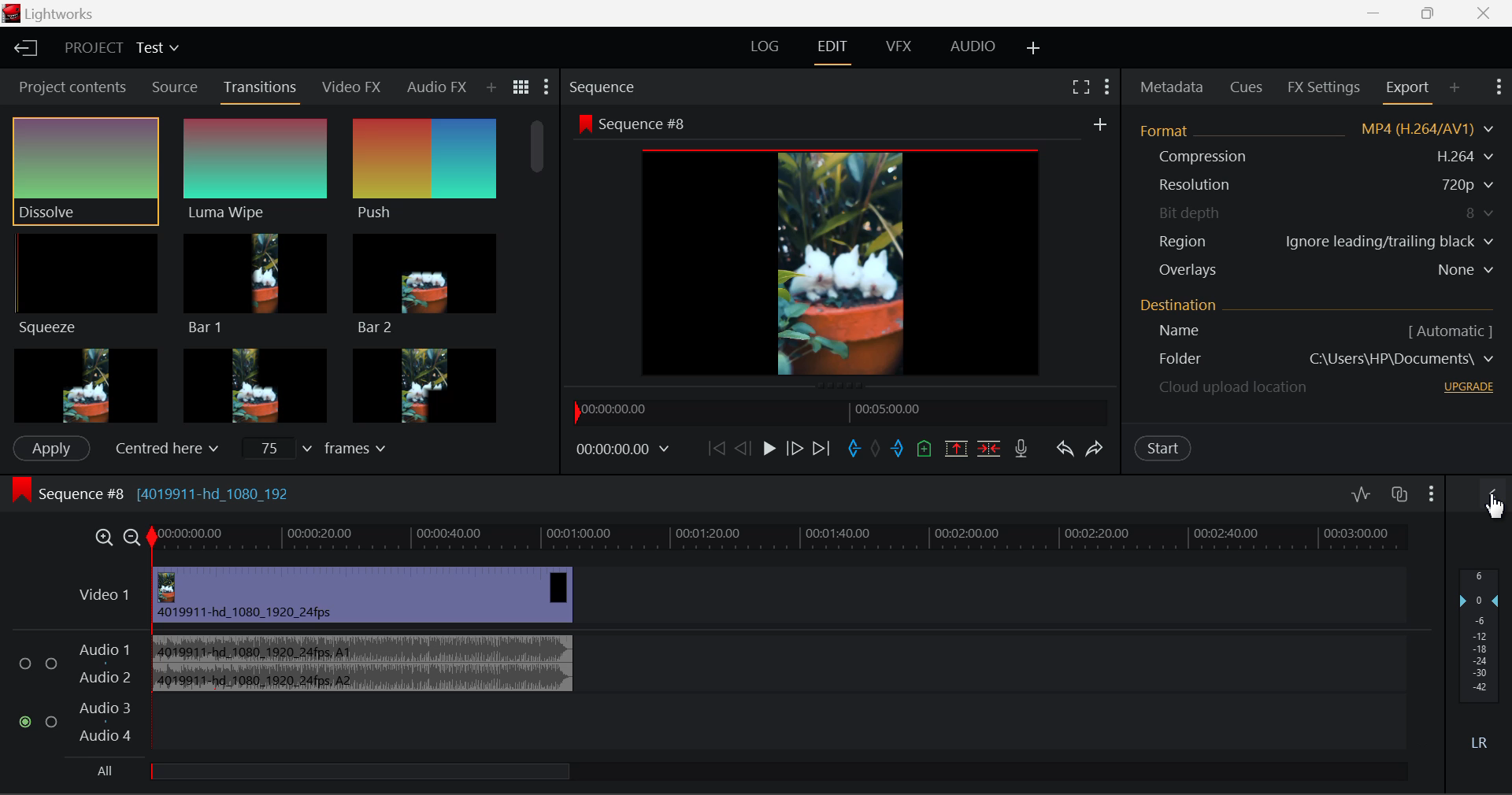 The width and height of the screenshot is (1512, 795). Describe the element at coordinates (424, 170) in the screenshot. I see `Push` at that location.